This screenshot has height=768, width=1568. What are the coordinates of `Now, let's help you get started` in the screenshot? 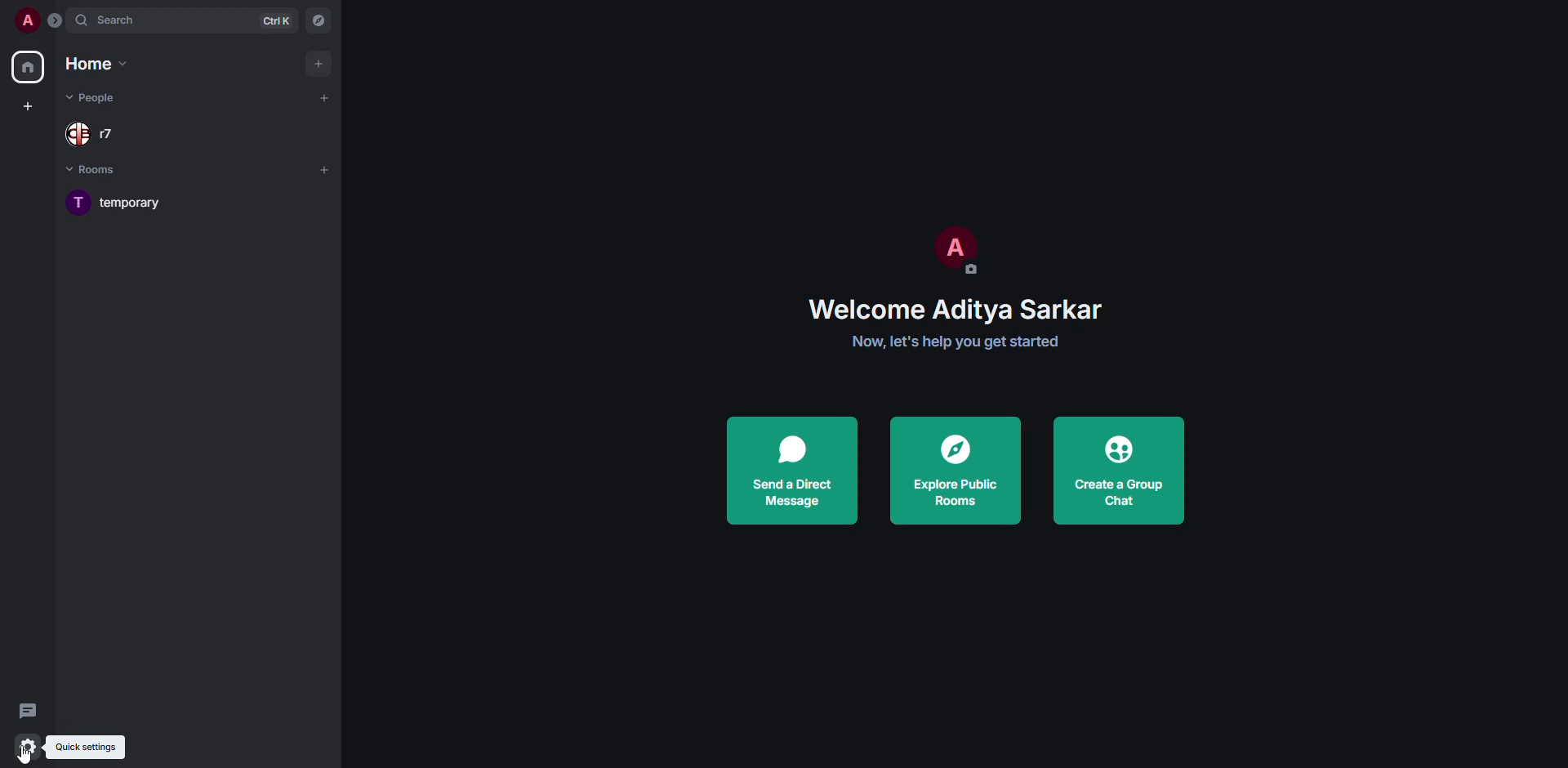 It's located at (953, 343).